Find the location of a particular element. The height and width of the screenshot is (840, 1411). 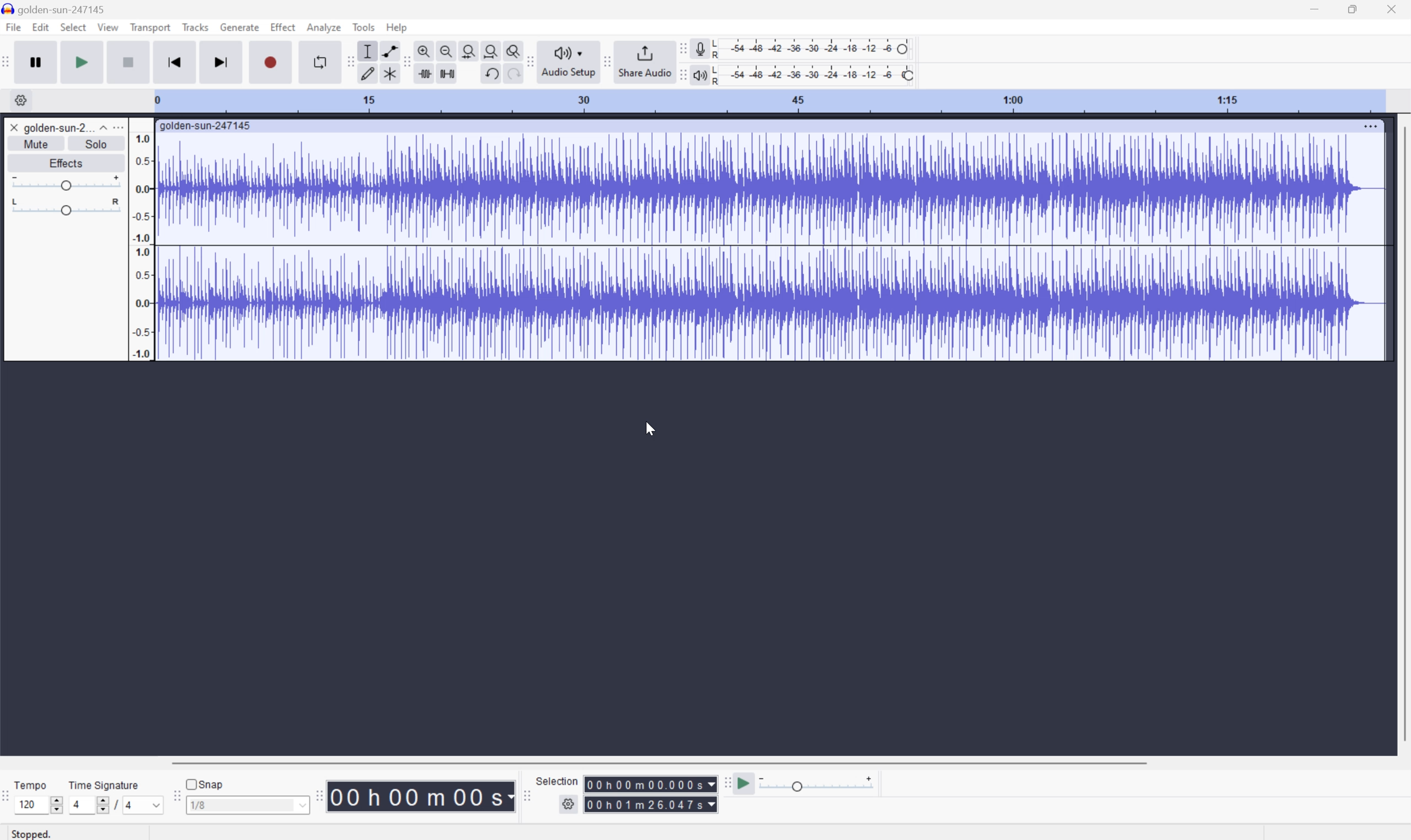

Selection tool is located at coordinates (368, 51).